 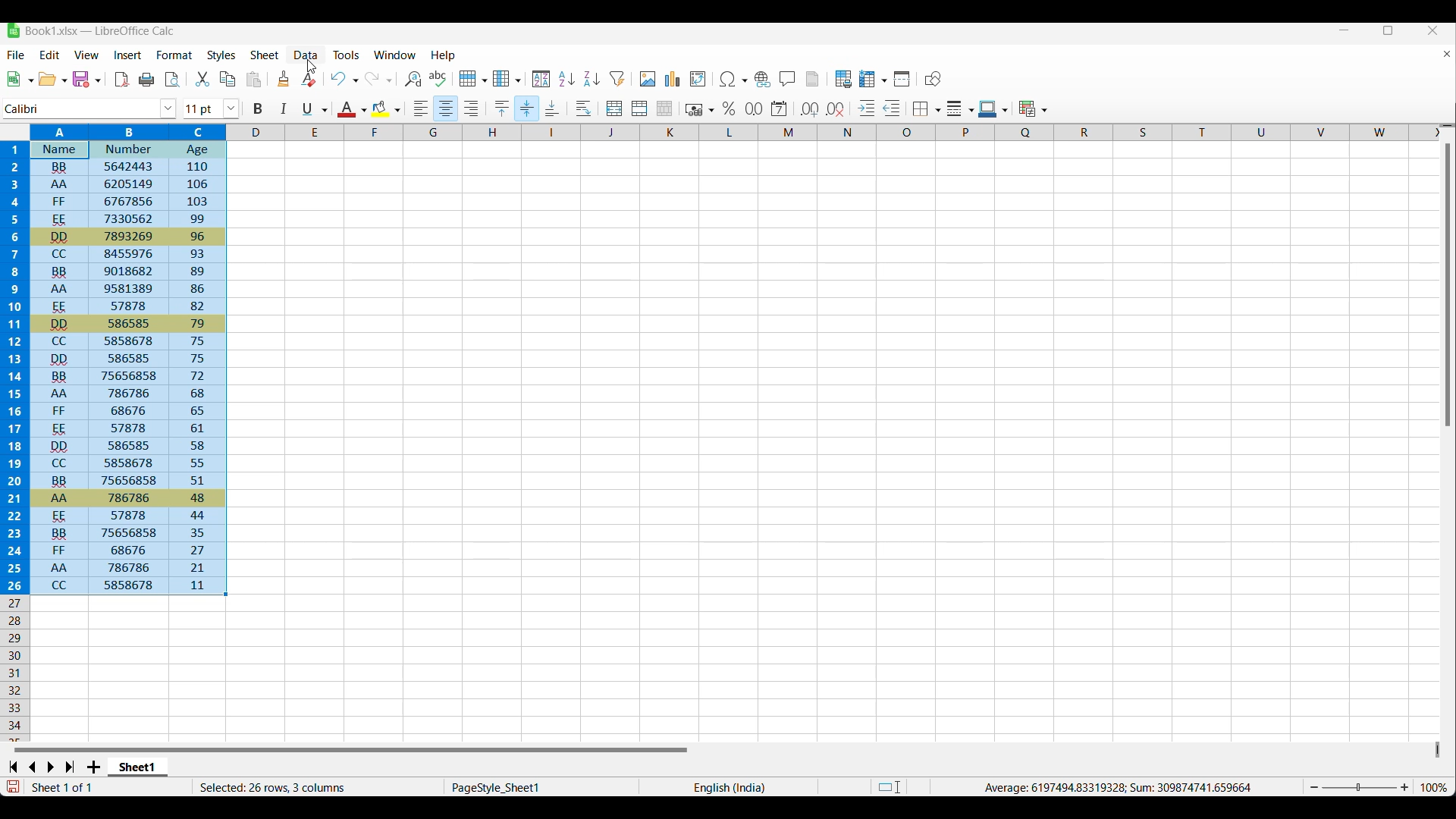 I want to click on Font options, so click(x=168, y=109).